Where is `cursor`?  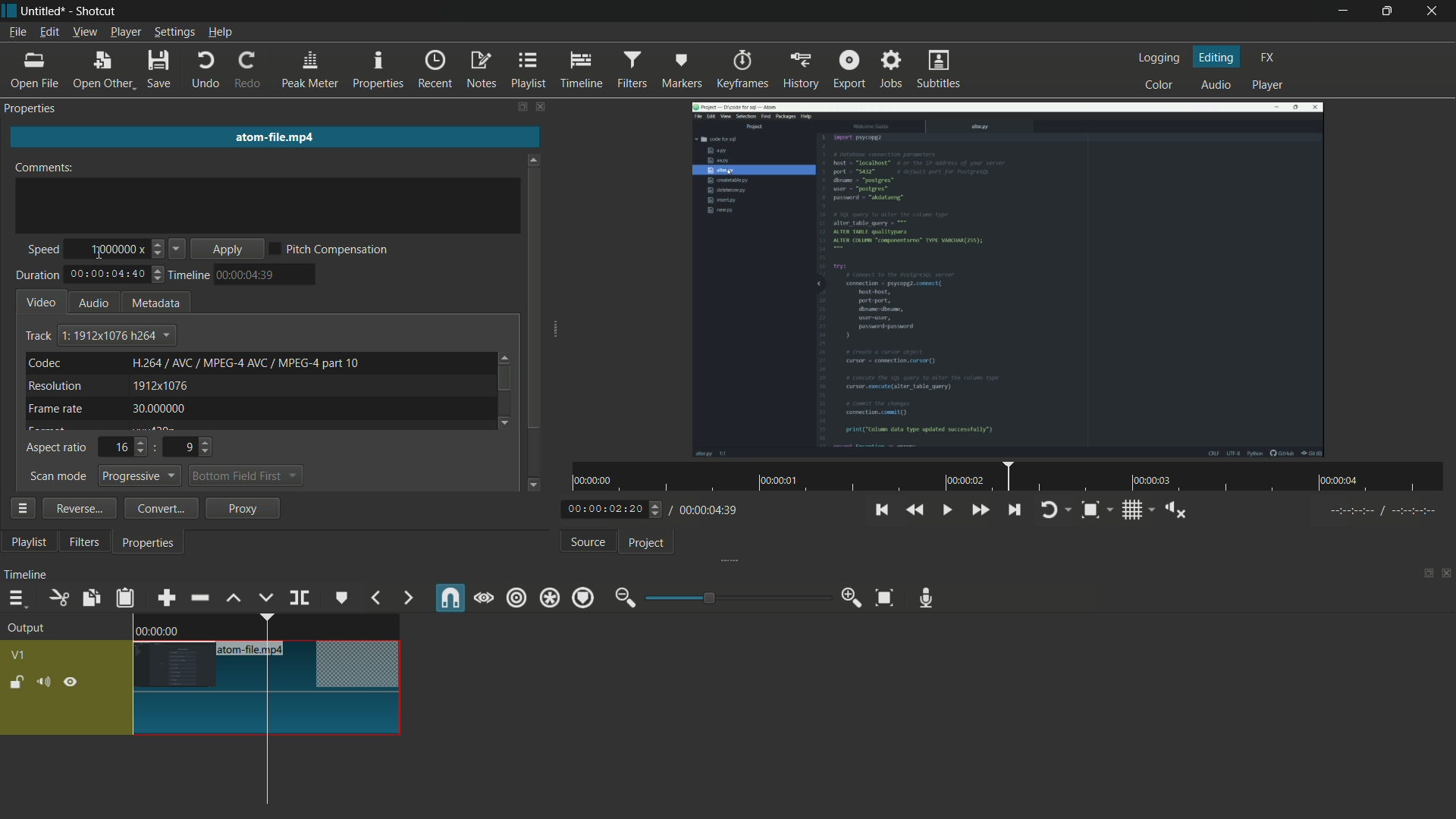 cursor is located at coordinates (99, 255).